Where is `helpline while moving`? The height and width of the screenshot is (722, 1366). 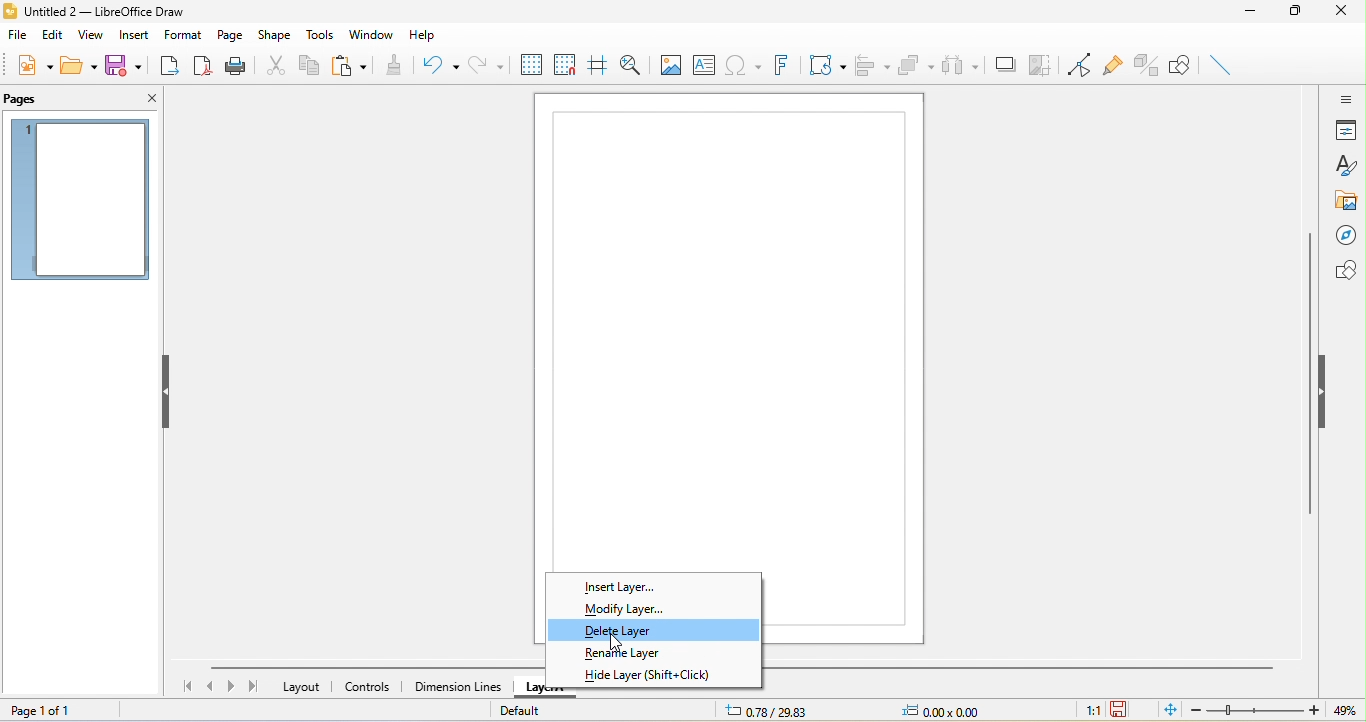
helpline while moving is located at coordinates (596, 68).